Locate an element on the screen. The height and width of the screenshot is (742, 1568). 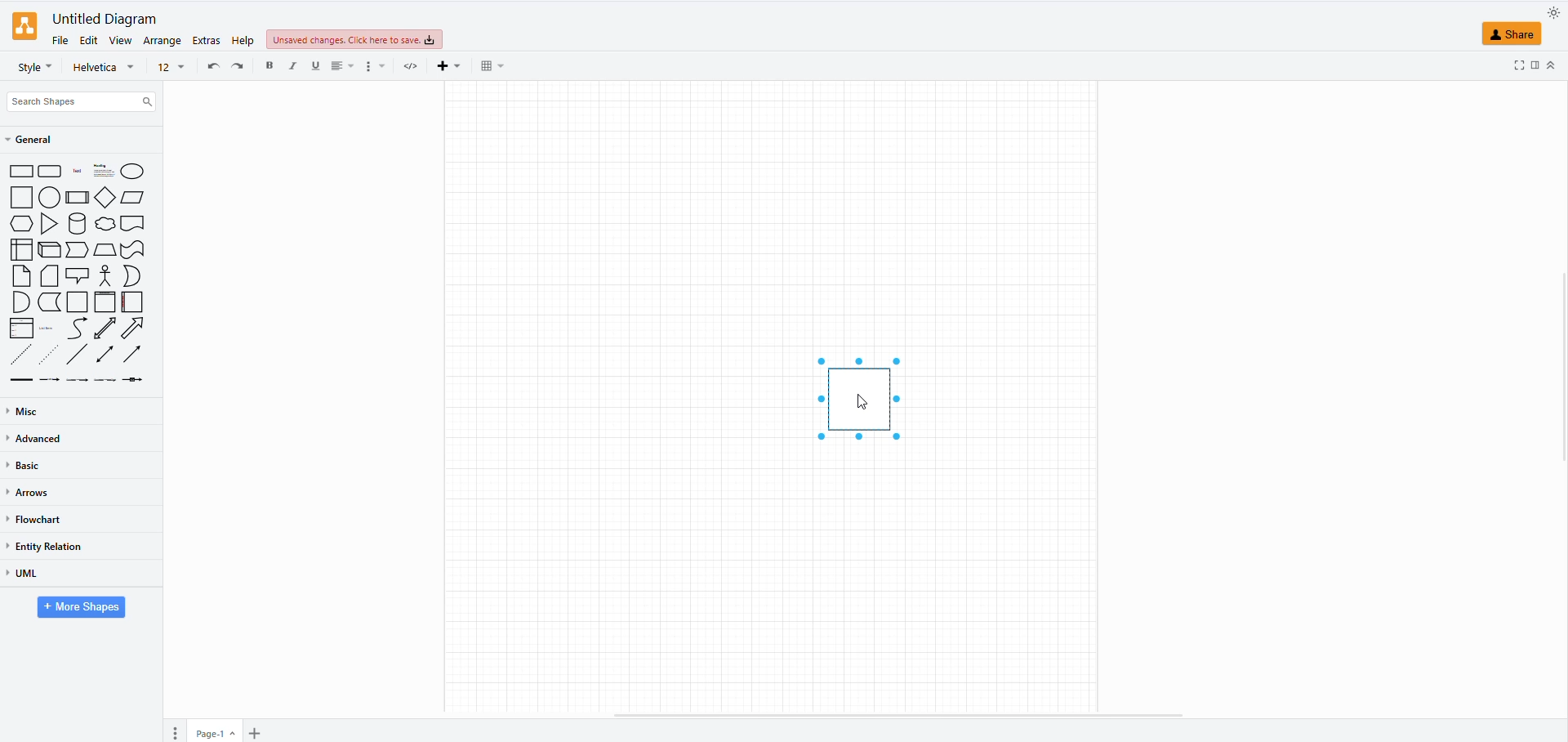
directional container is located at coordinates (136, 357).